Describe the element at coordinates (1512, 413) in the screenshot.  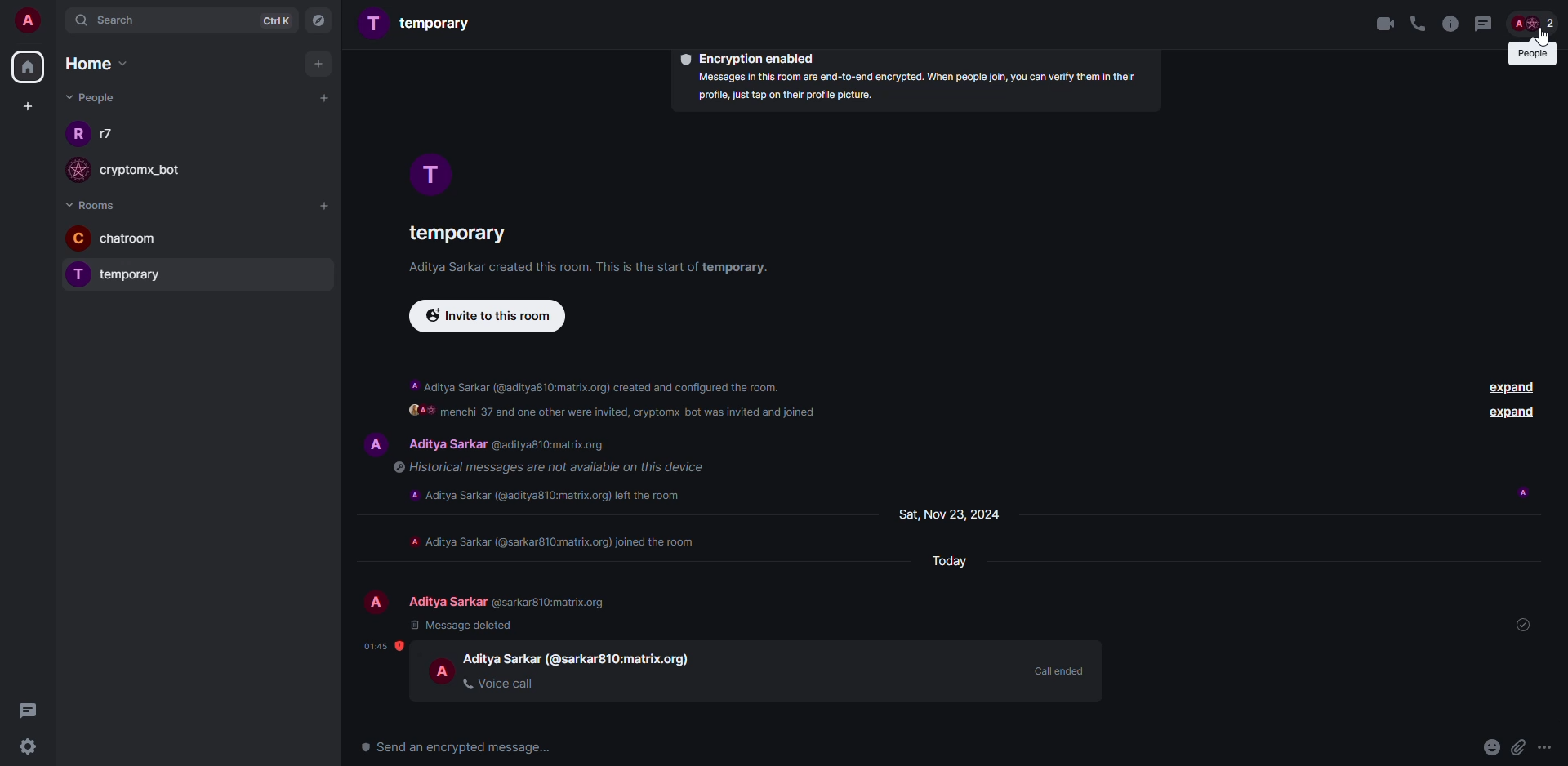
I see `expand` at that location.